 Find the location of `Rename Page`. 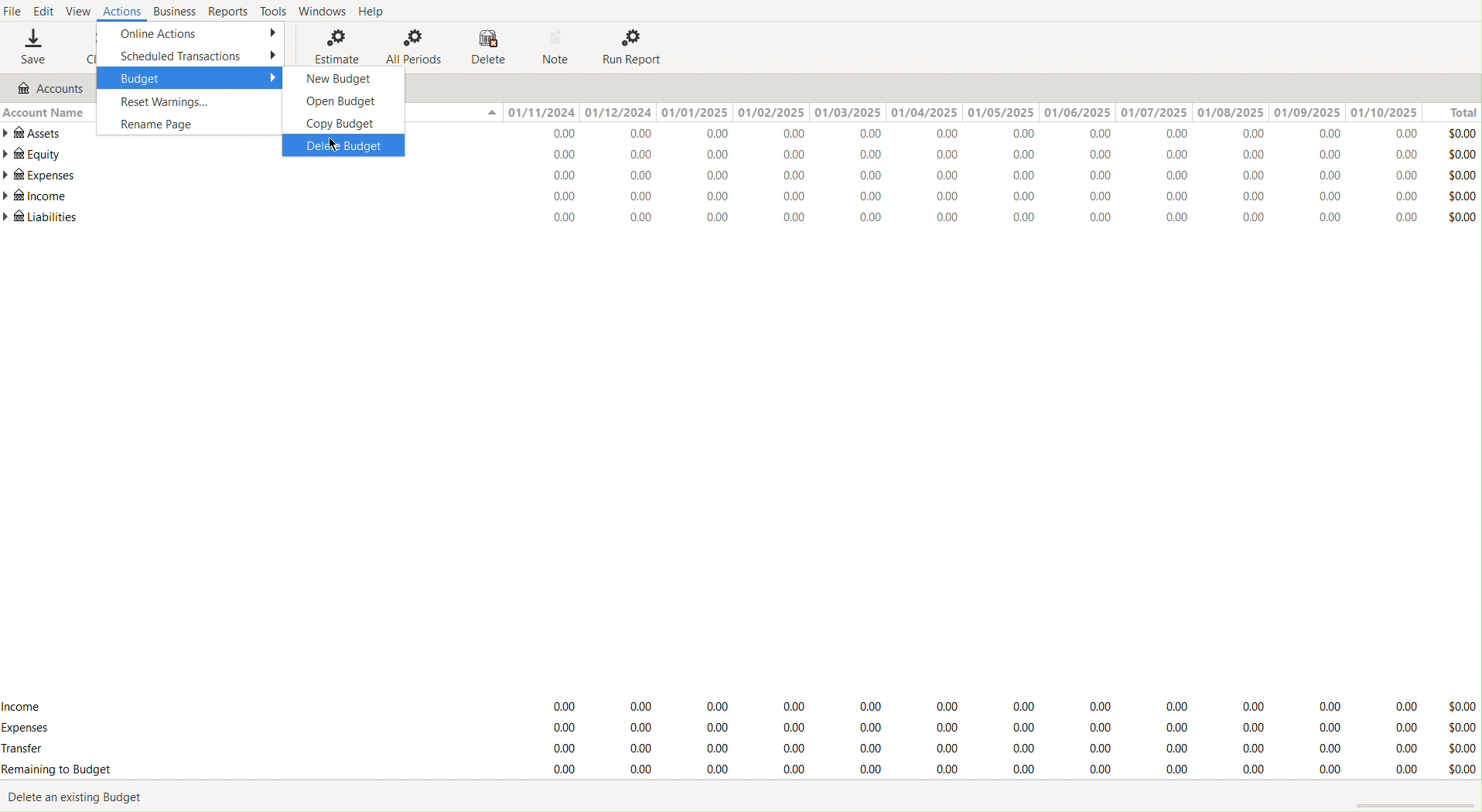

Rename Page is located at coordinates (192, 126).